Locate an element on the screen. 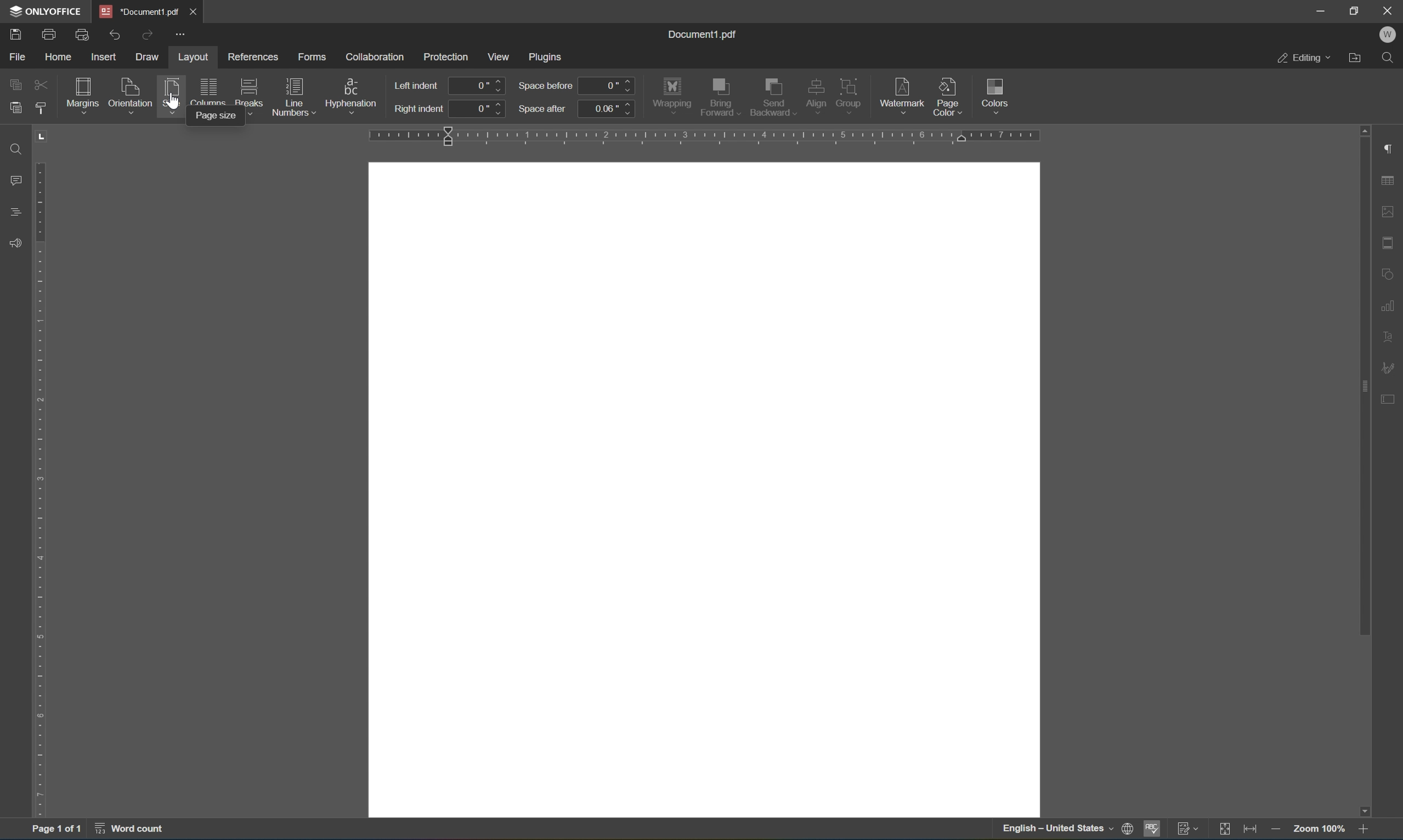 The image size is (1403, 840). Find is located at coordinates (1392, 59).